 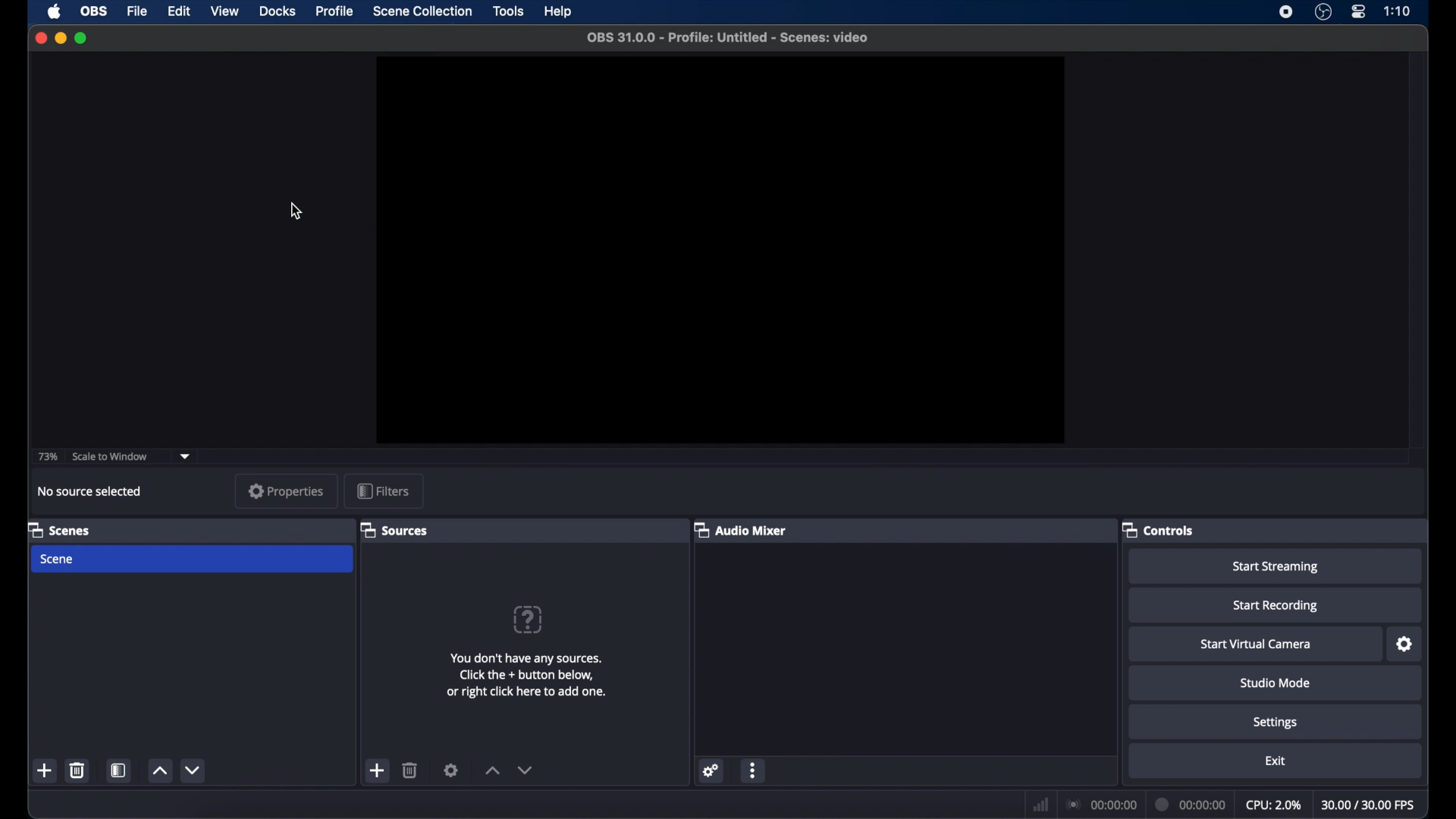 What do you see at coordinates (277, 10) in the screenshot?
I see `docks` at bounding box center [277, 10].